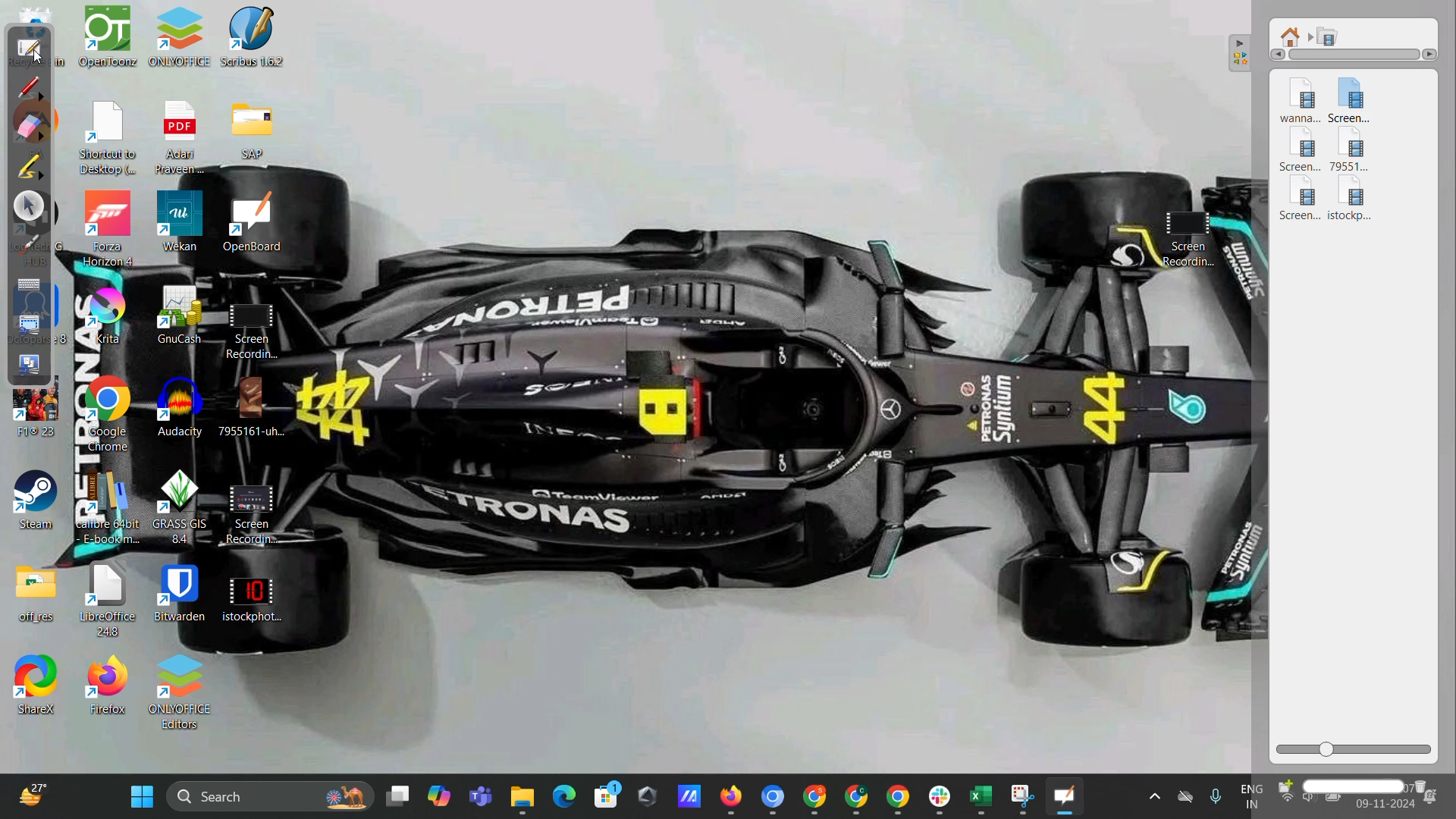 This screenshot has height=819, width=1456. What do you see at coordinates (818, 796) in the screenshot?
I see `Minimized google chrome` at bounding box center [818, 796].